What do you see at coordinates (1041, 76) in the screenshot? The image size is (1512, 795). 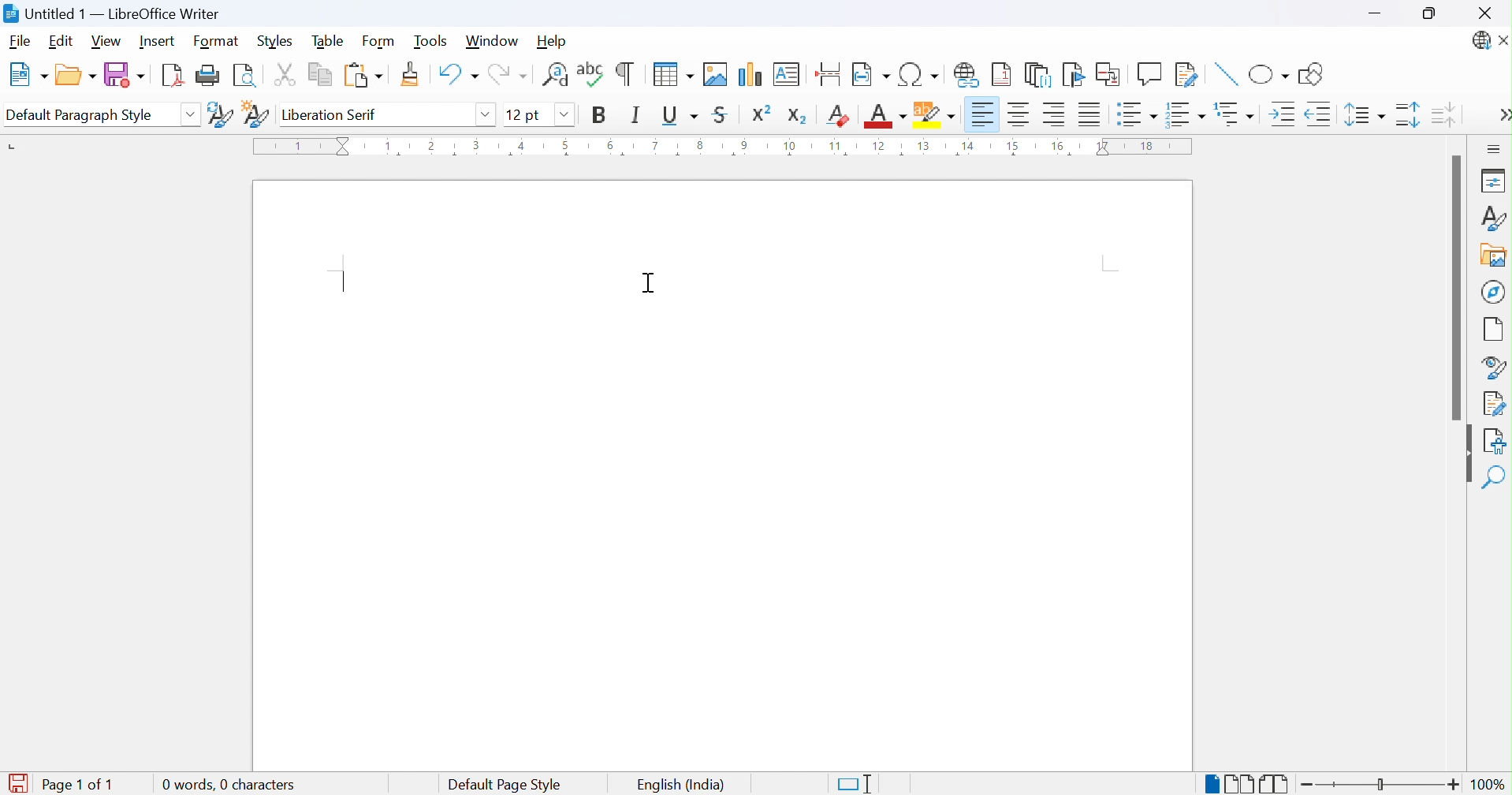 I see `Insert endnote` at bounding box center [1041, 76].